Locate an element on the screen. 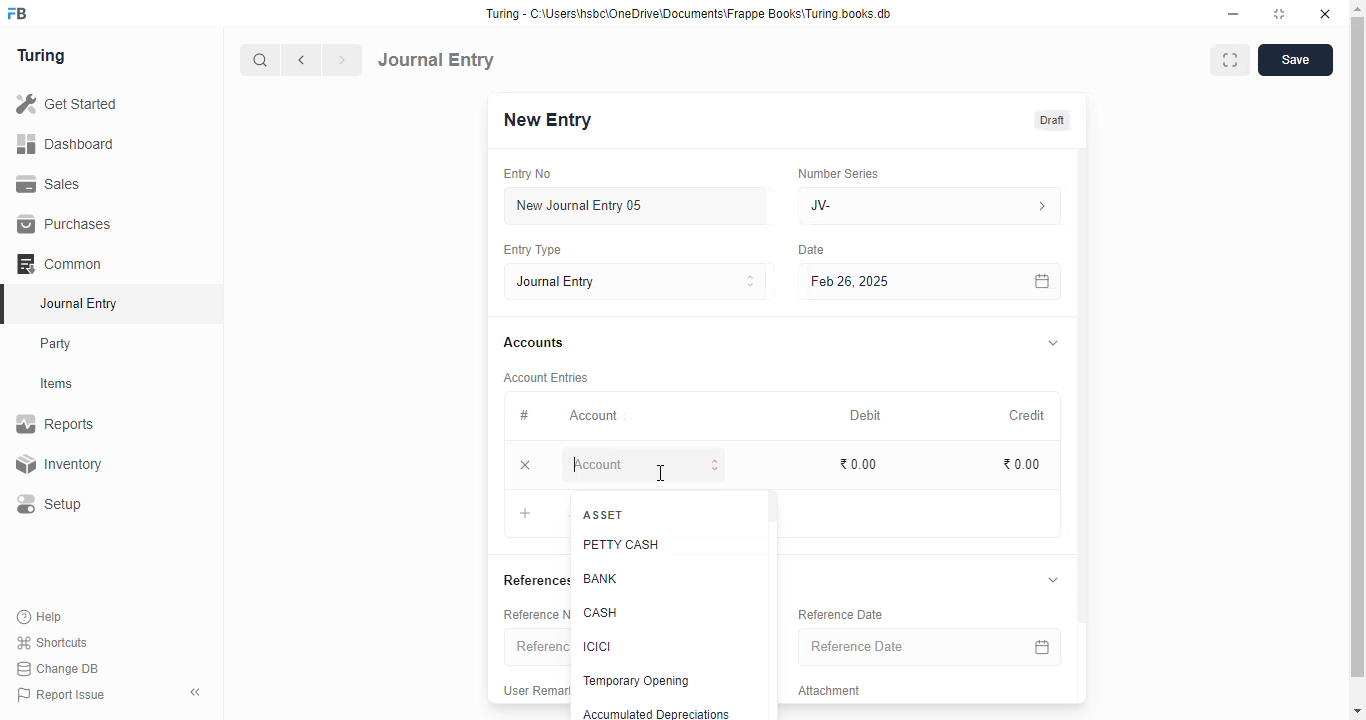 This screenshot has height=720, width=1366. # is located at coordinates (527, 417).